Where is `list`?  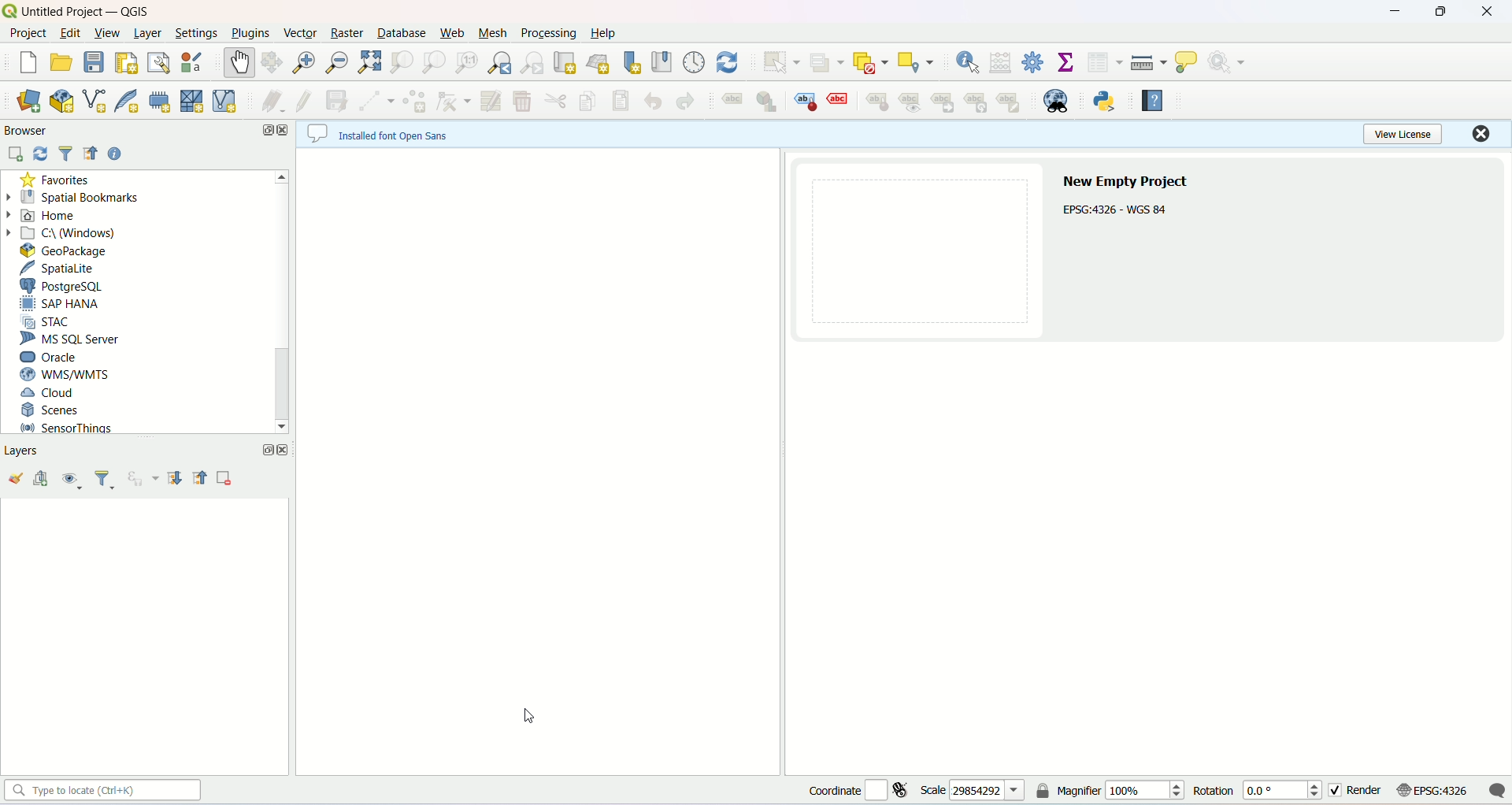 list is located at coordinates (92, 153).